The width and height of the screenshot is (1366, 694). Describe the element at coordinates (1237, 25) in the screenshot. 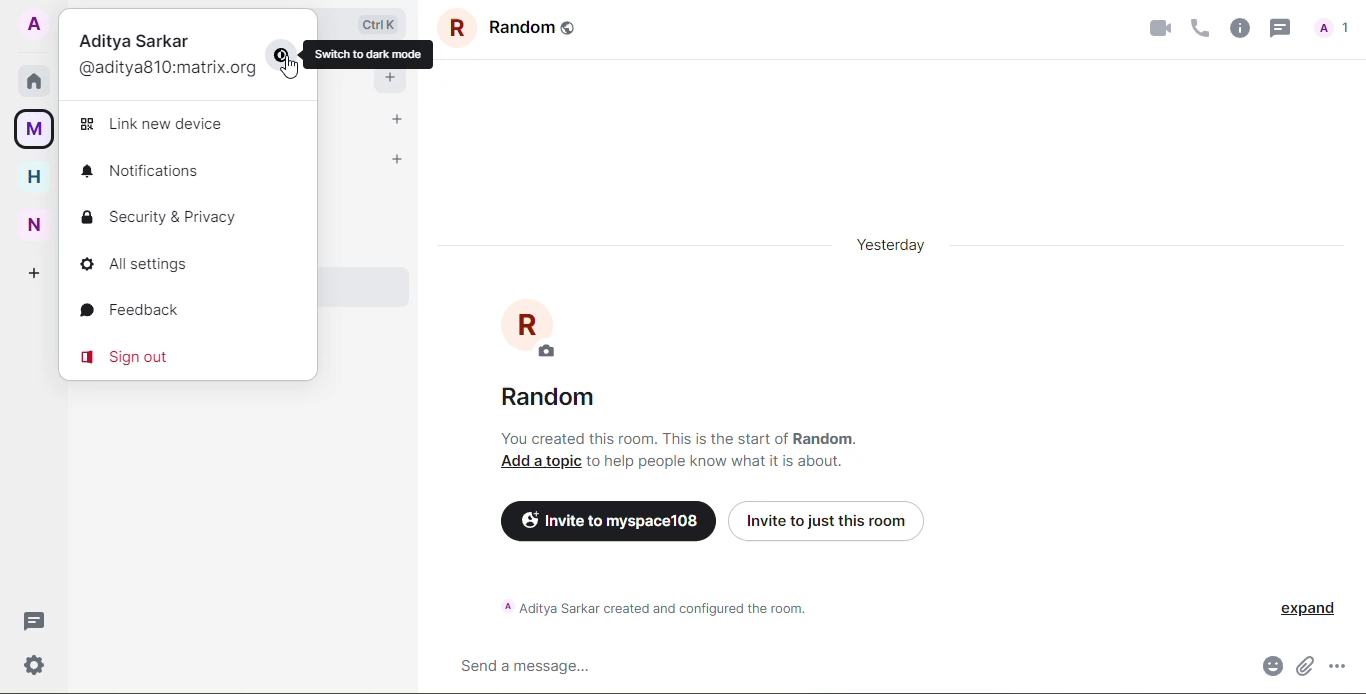

I see `info` at that location.